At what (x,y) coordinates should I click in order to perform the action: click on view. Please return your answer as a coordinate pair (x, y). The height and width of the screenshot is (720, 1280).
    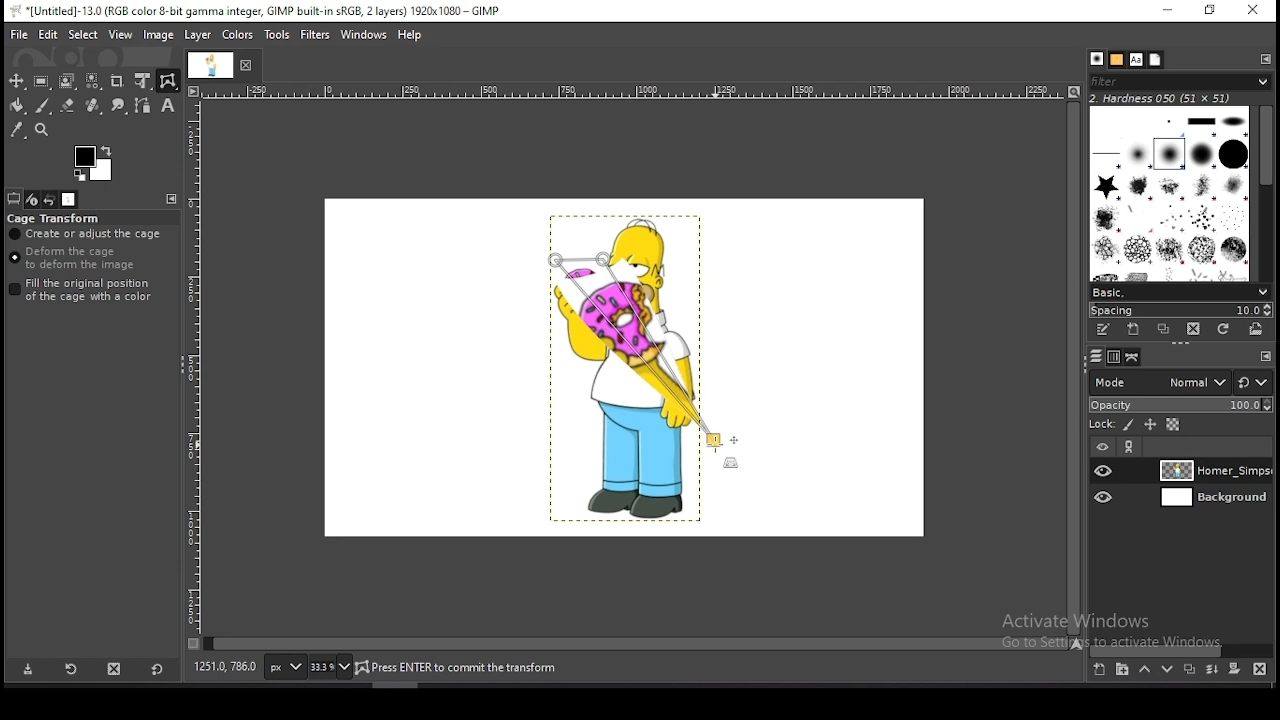
    Looking at the image, I should click on (121, 34).